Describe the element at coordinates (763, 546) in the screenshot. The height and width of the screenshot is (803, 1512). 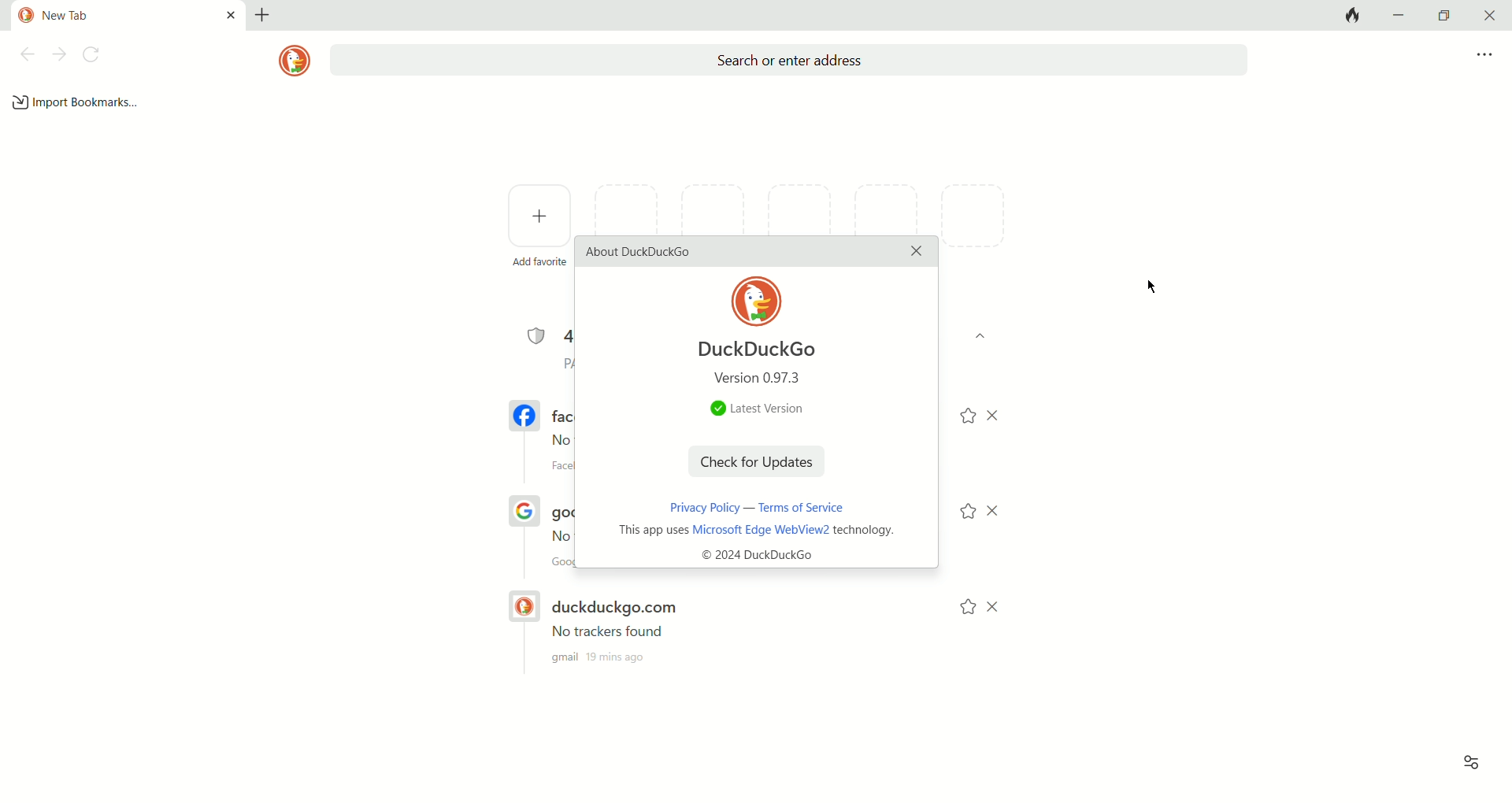
I see `This app uses Microsoft Edge ` at that location.